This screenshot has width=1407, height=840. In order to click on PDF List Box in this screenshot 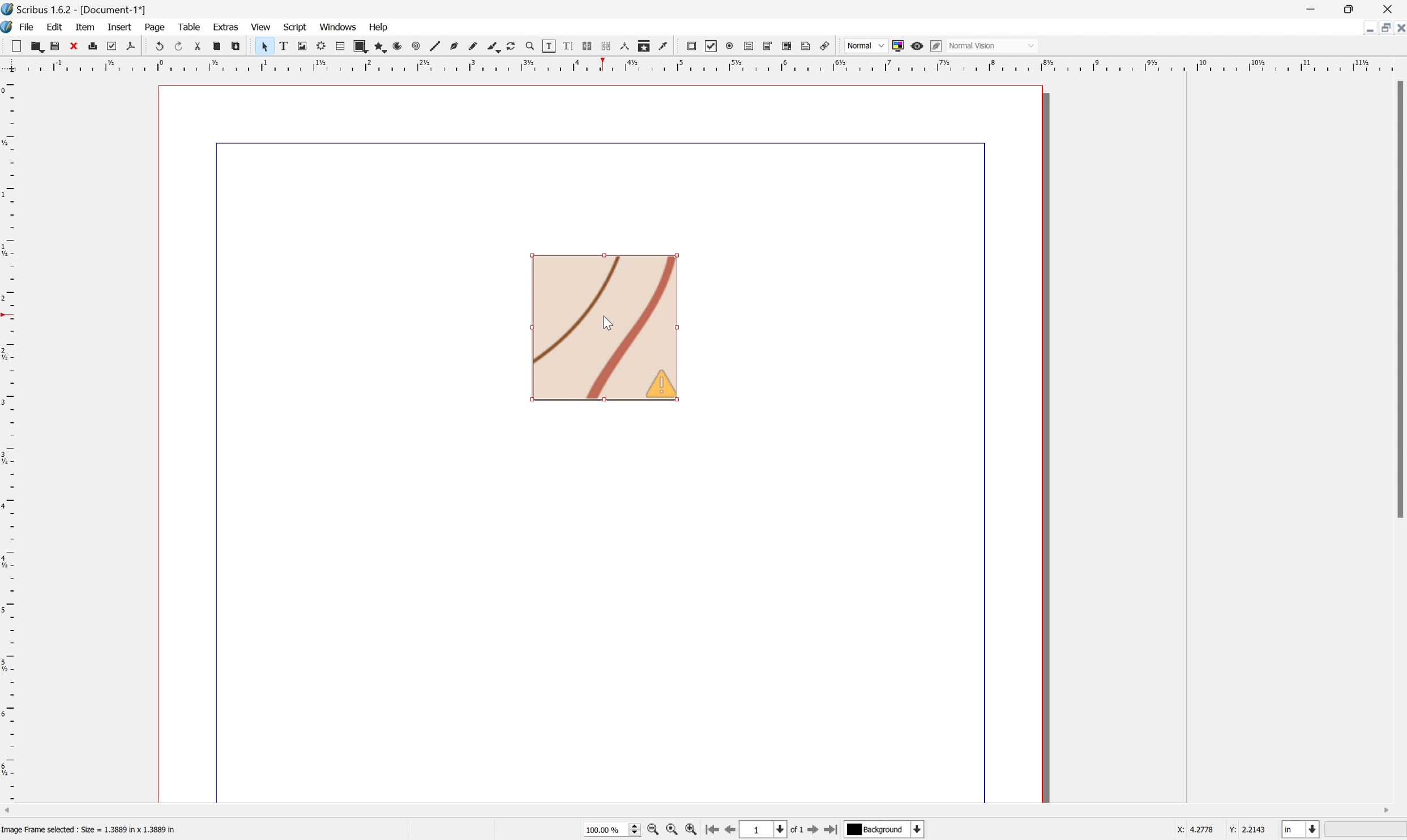, I will do `click(789, 46)`.